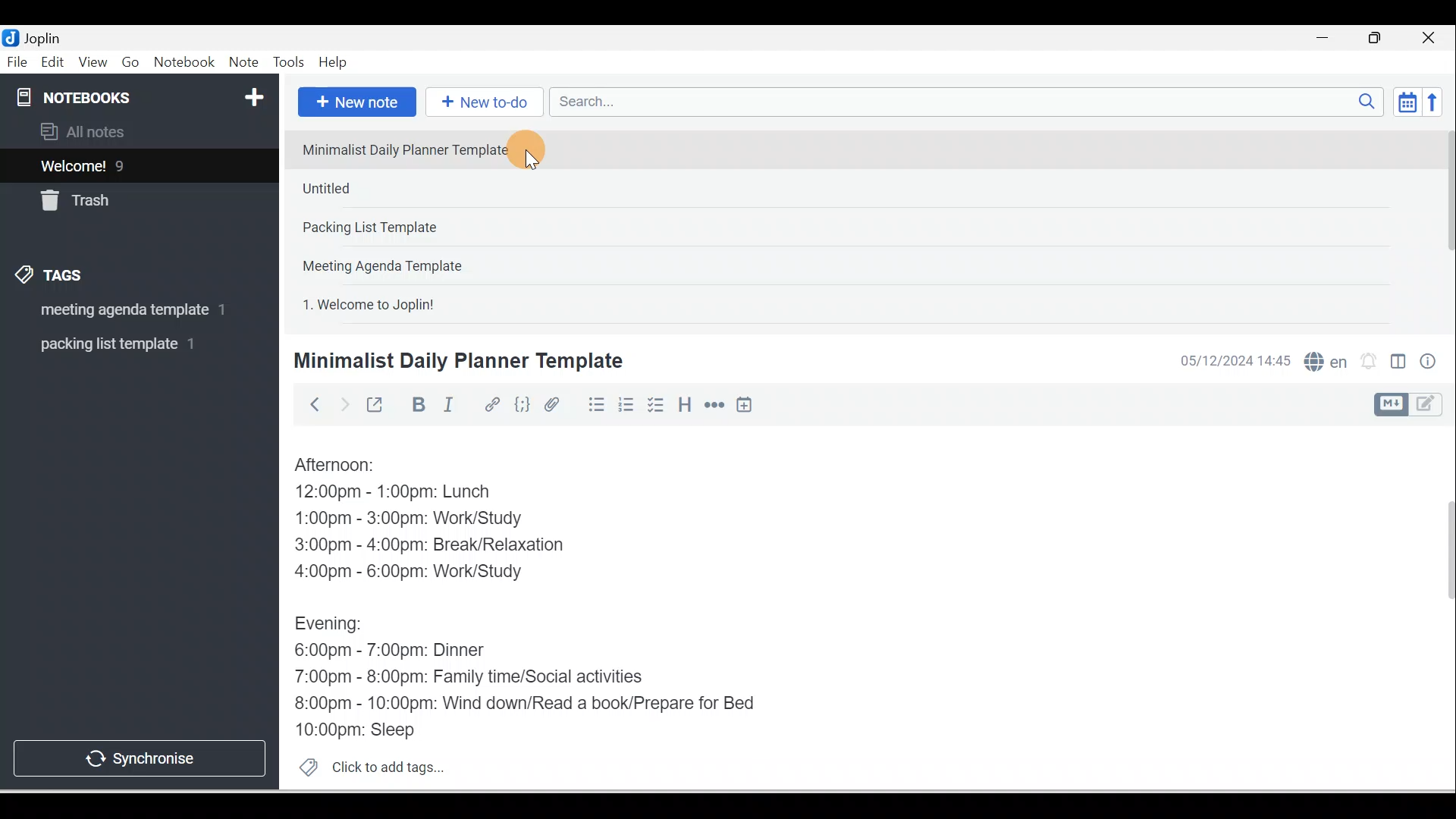  Describe the element at coordinates (480, 679) in the screenshot. I see `7:00pm - 8:00pm: Family time/Social activities` at that location.